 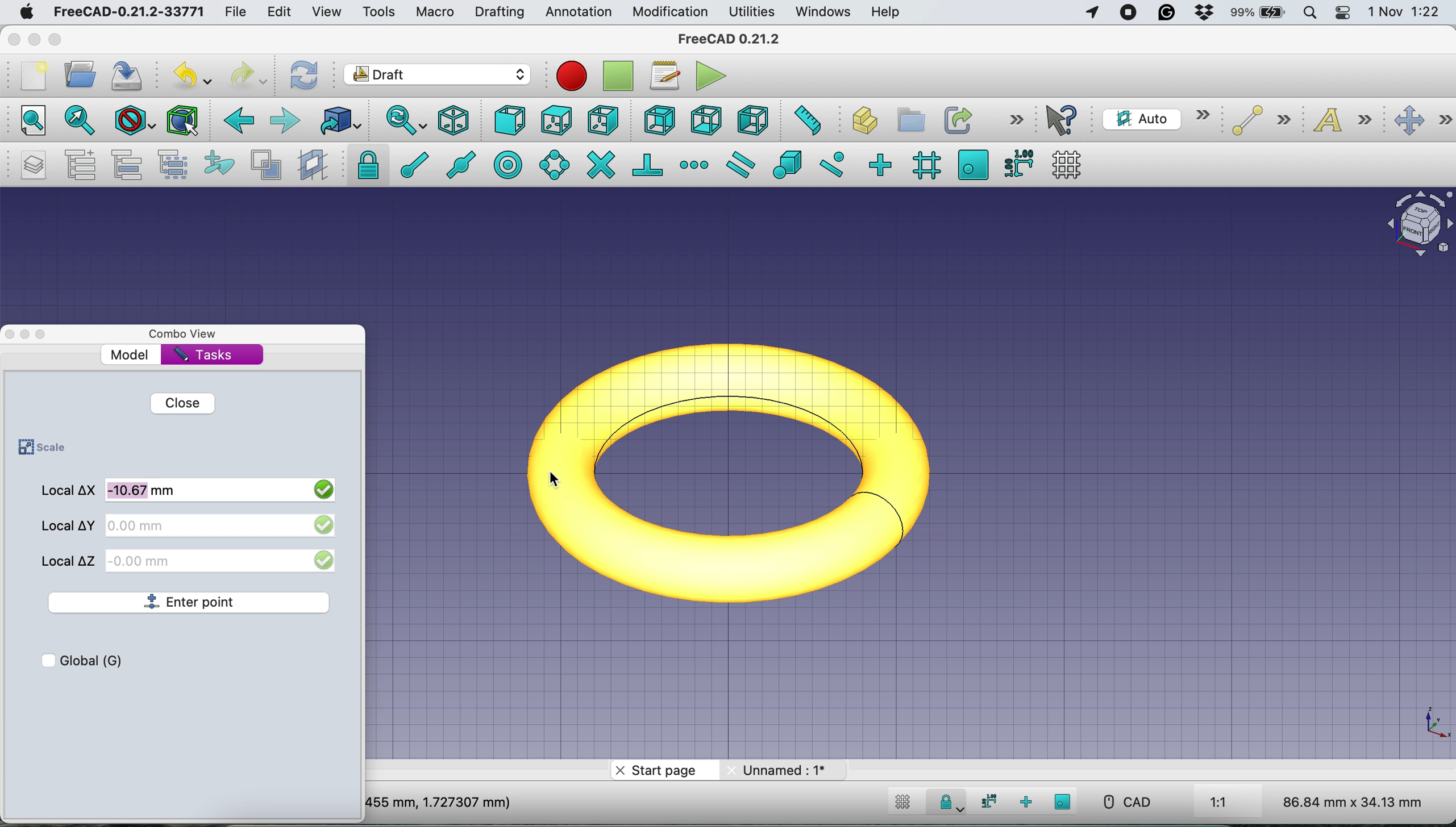 I want to click on manage layers, so click(x=34, y=166).